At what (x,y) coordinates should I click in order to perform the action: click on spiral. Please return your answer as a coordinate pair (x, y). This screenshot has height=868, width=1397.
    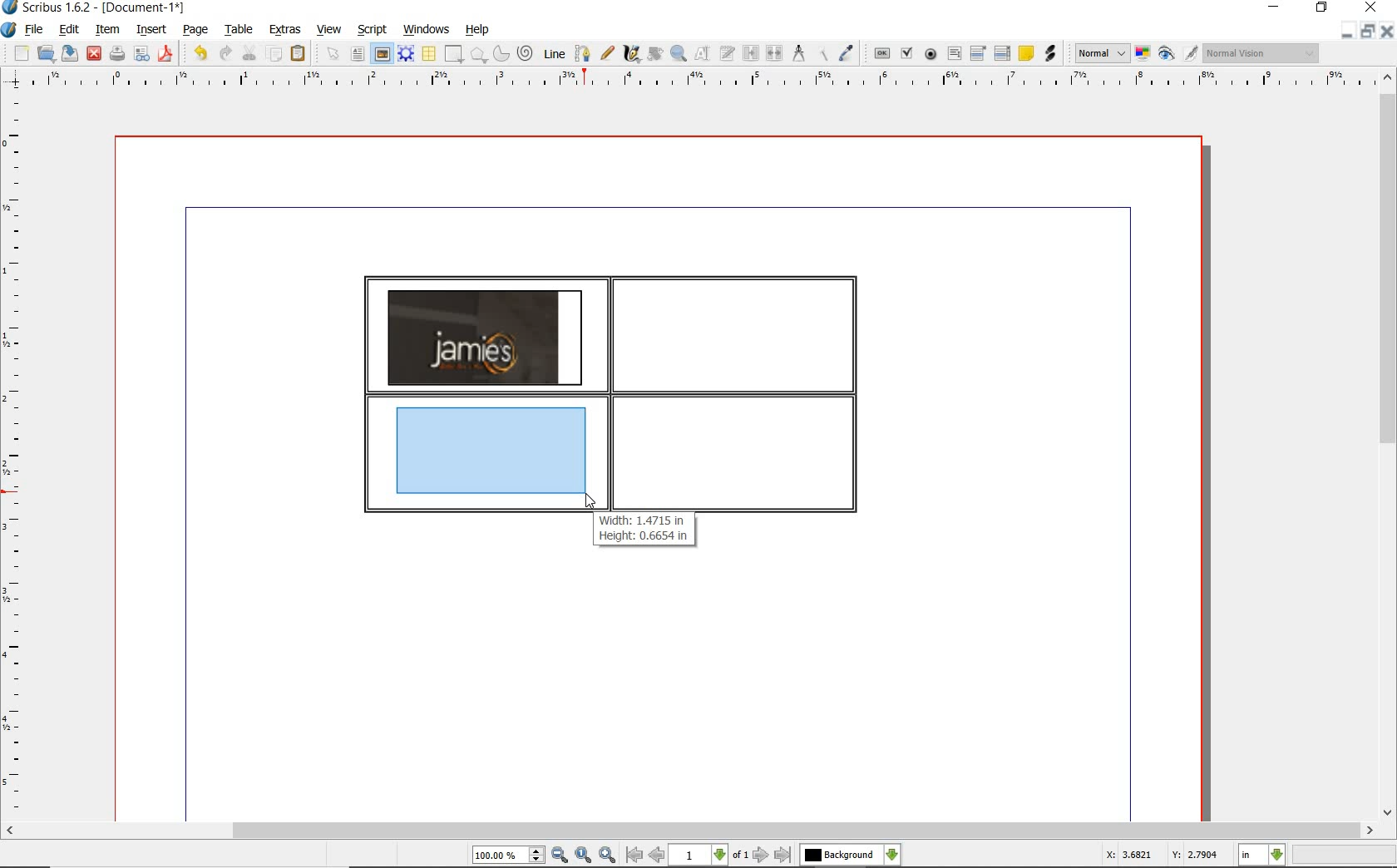
    Looking at the image, I should click on (526, 54).